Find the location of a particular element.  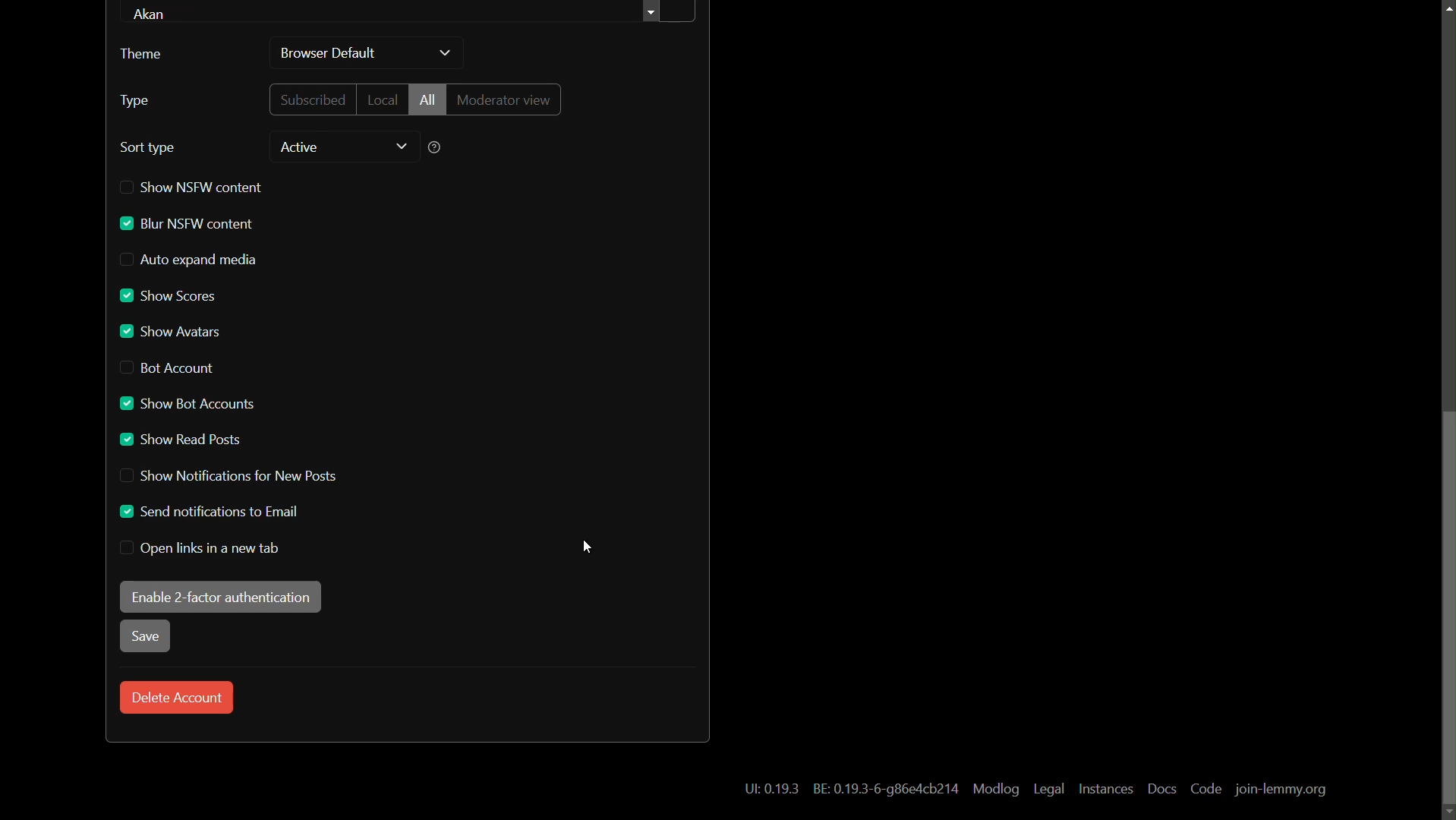

blur nsfw content is located at coordinates (187, 224).